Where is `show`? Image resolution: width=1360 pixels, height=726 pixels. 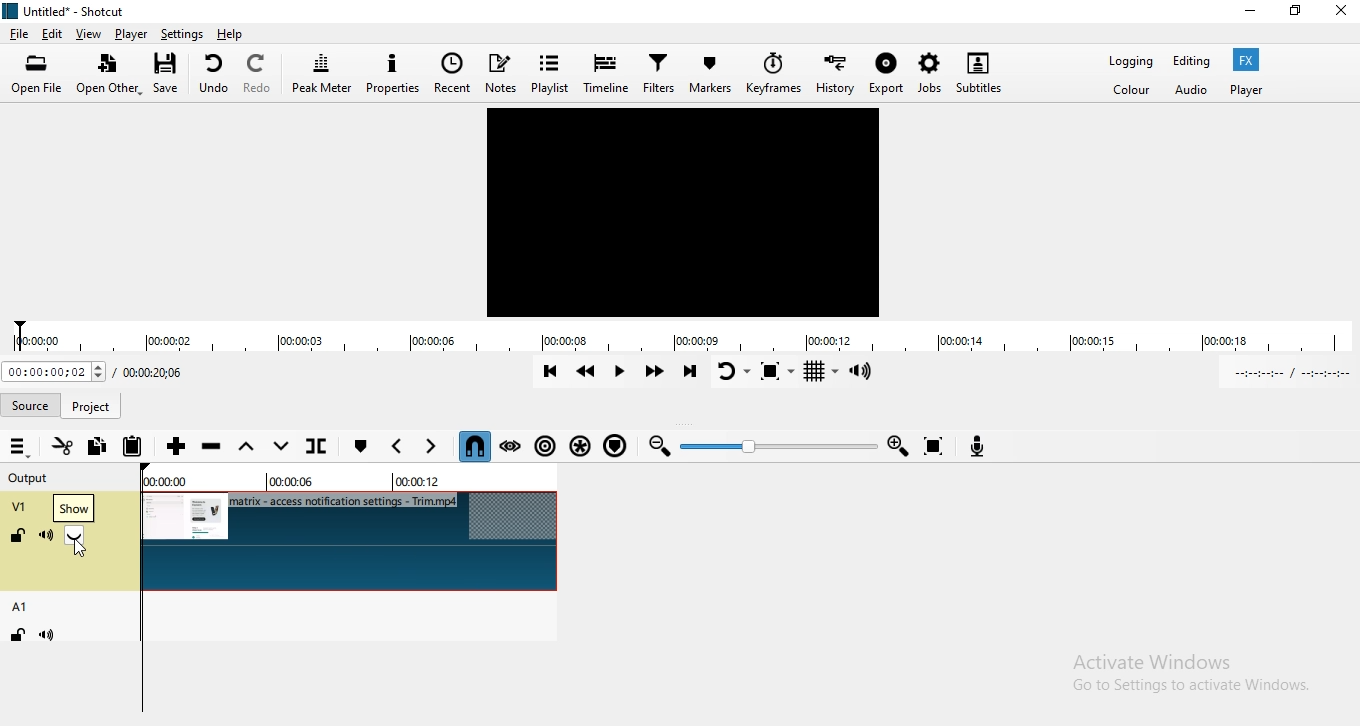 show is located at coordinates (78, 538).